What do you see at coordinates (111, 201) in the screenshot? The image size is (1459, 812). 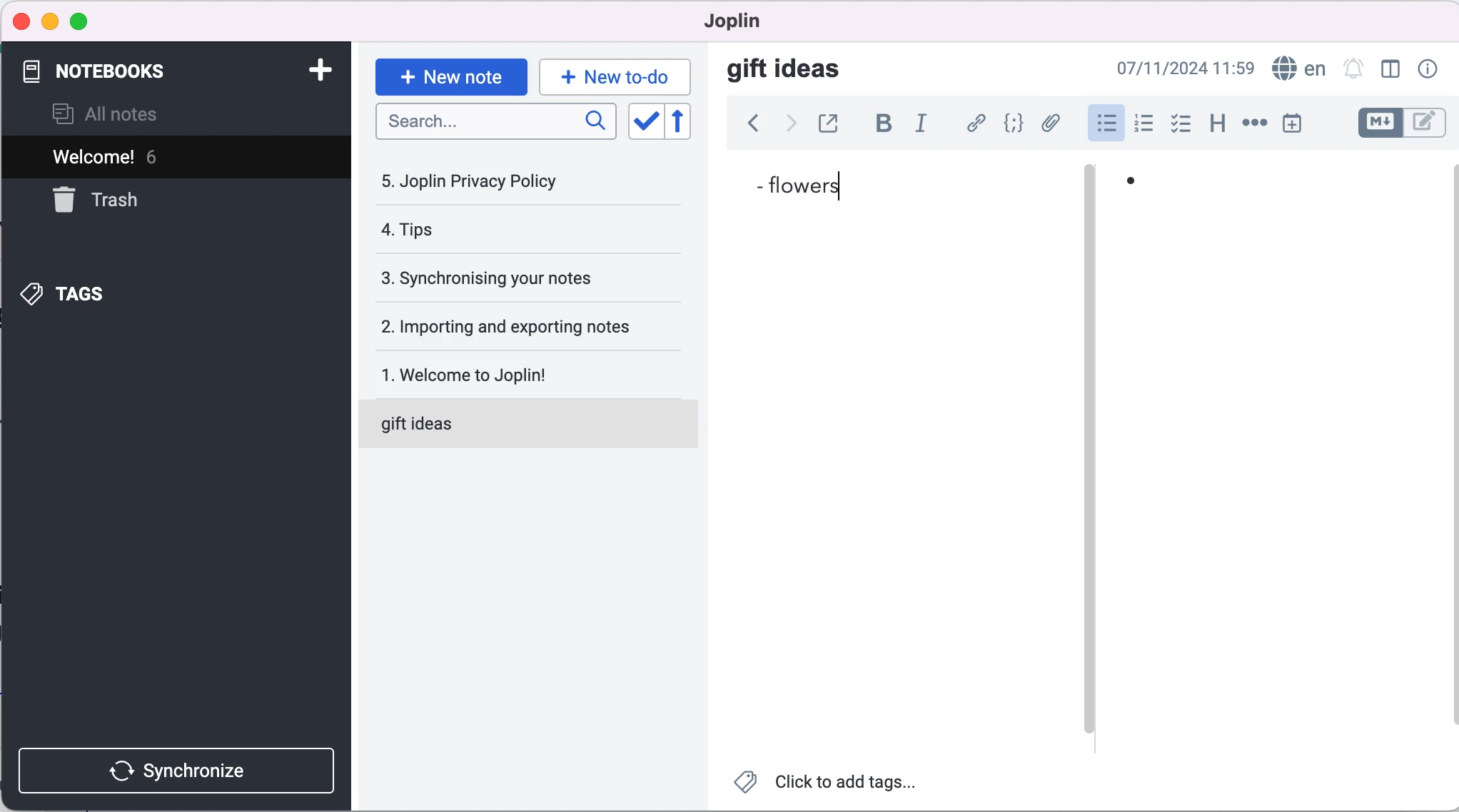 I see `trash` at bounding box center [111, 201].